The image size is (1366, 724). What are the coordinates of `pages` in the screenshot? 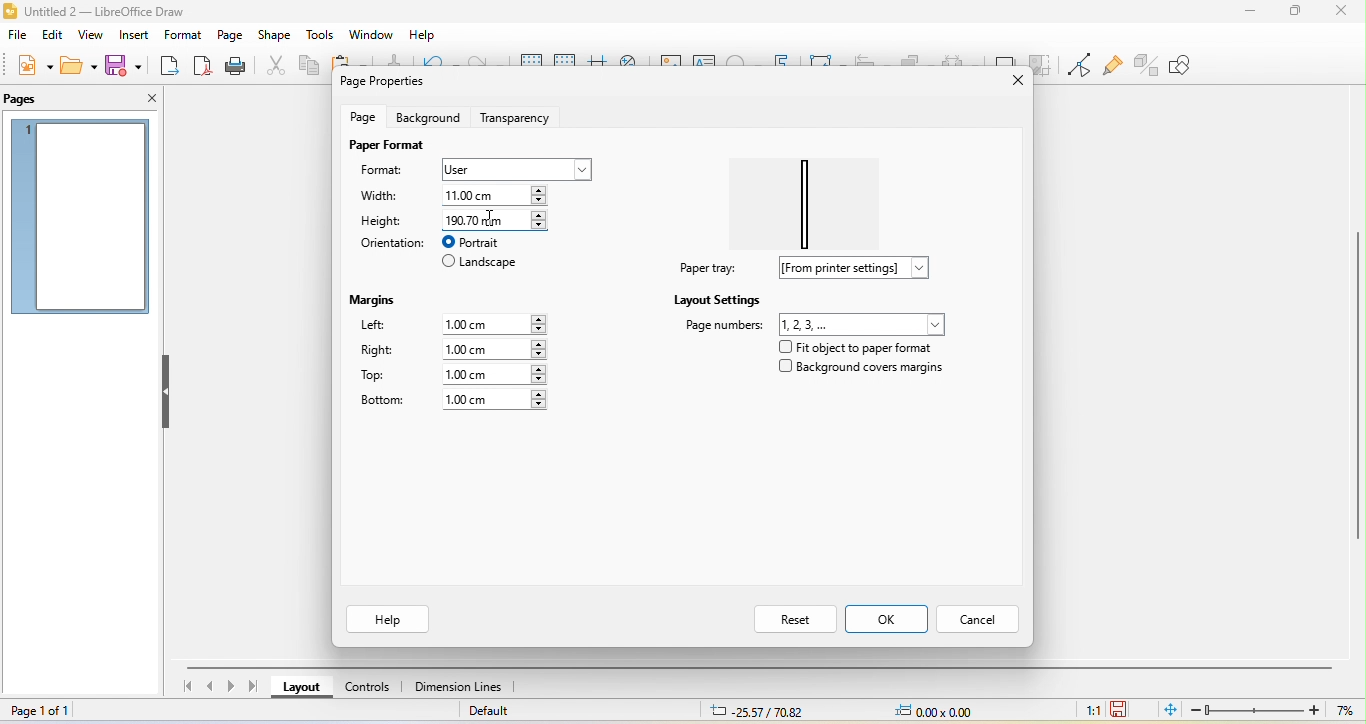 It's located at (31, 99).